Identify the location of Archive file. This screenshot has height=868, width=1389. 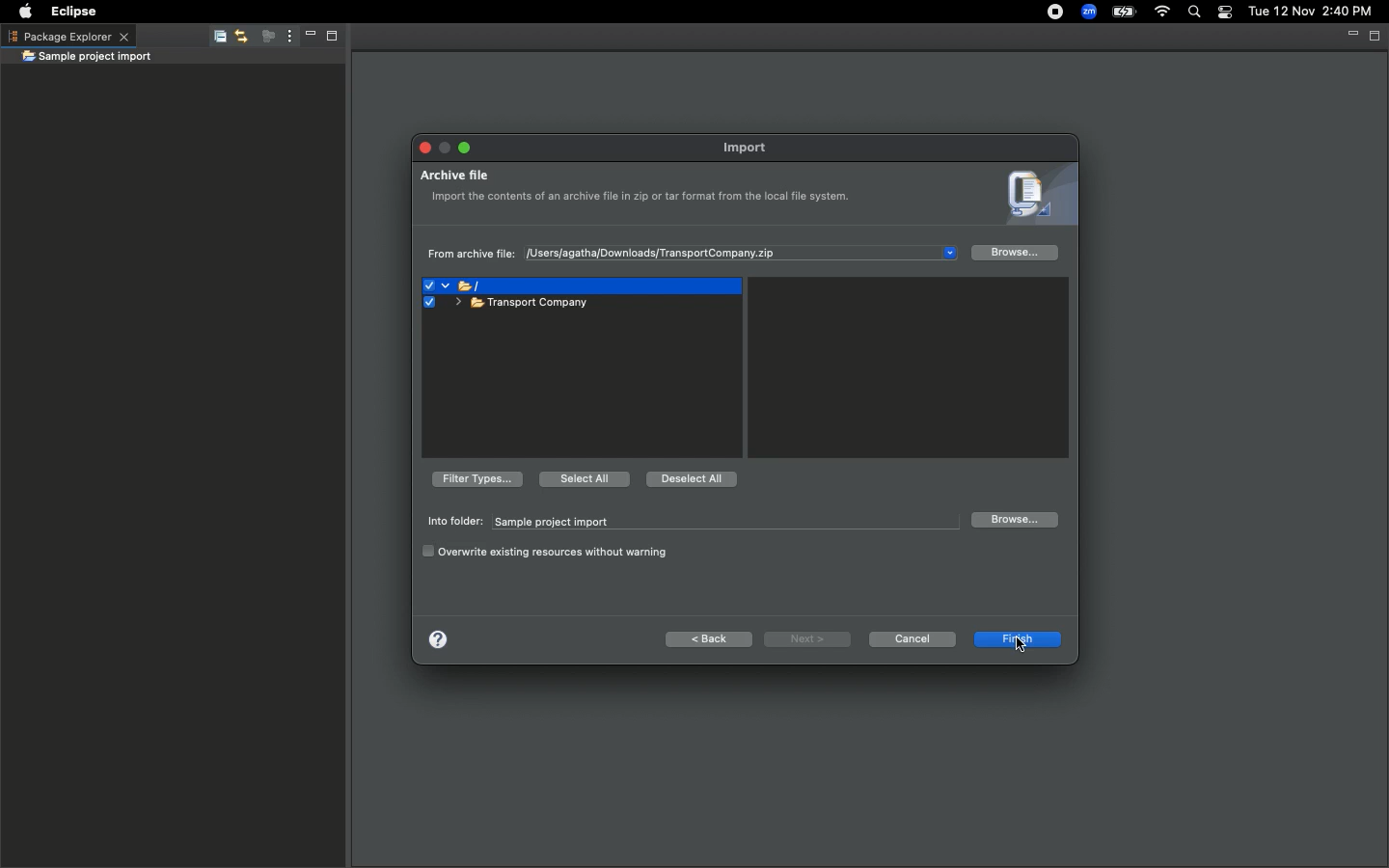
(504, 306).